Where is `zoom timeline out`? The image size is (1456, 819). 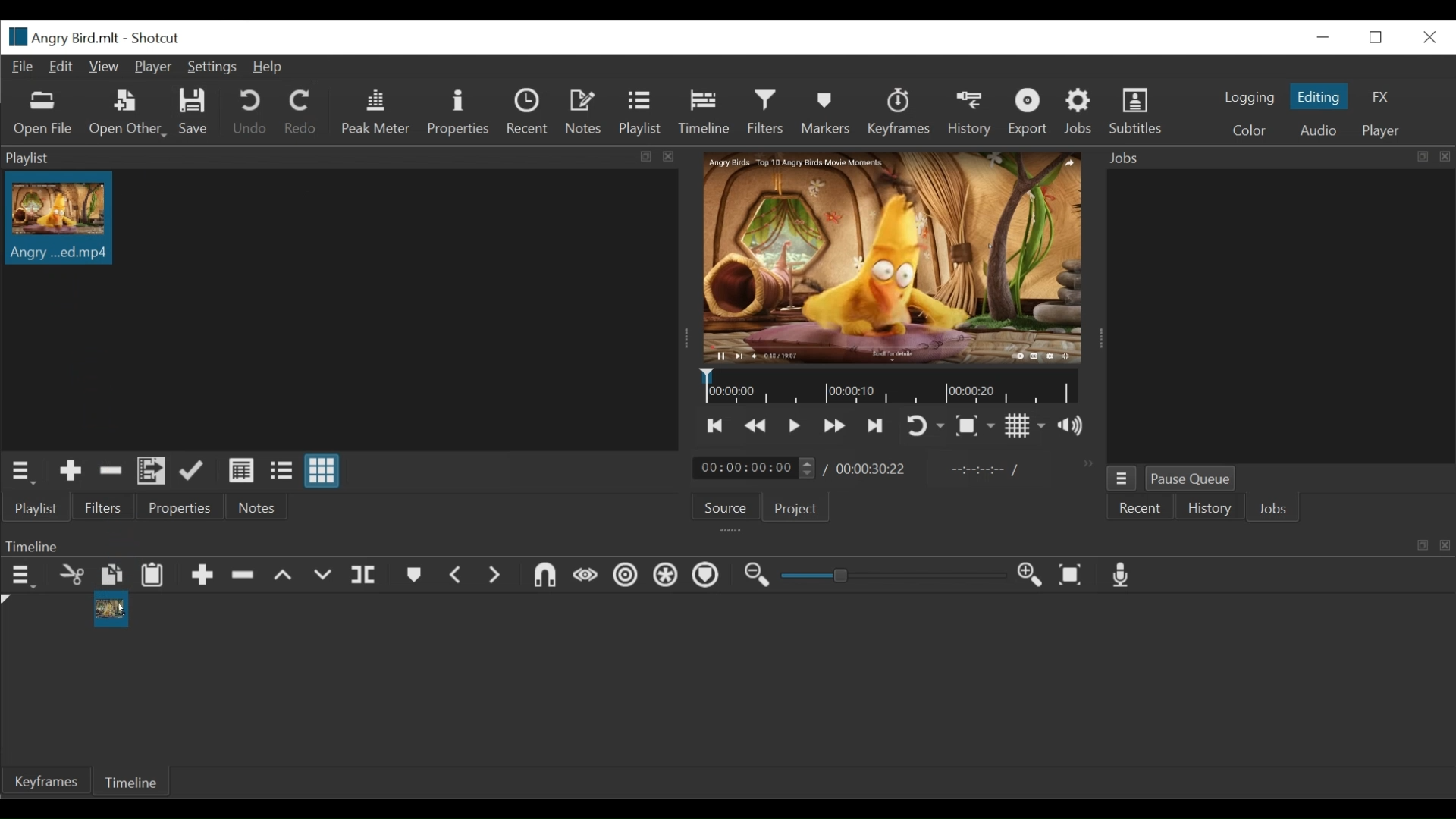
zoom timeline out is located at coordinates (759, 576).